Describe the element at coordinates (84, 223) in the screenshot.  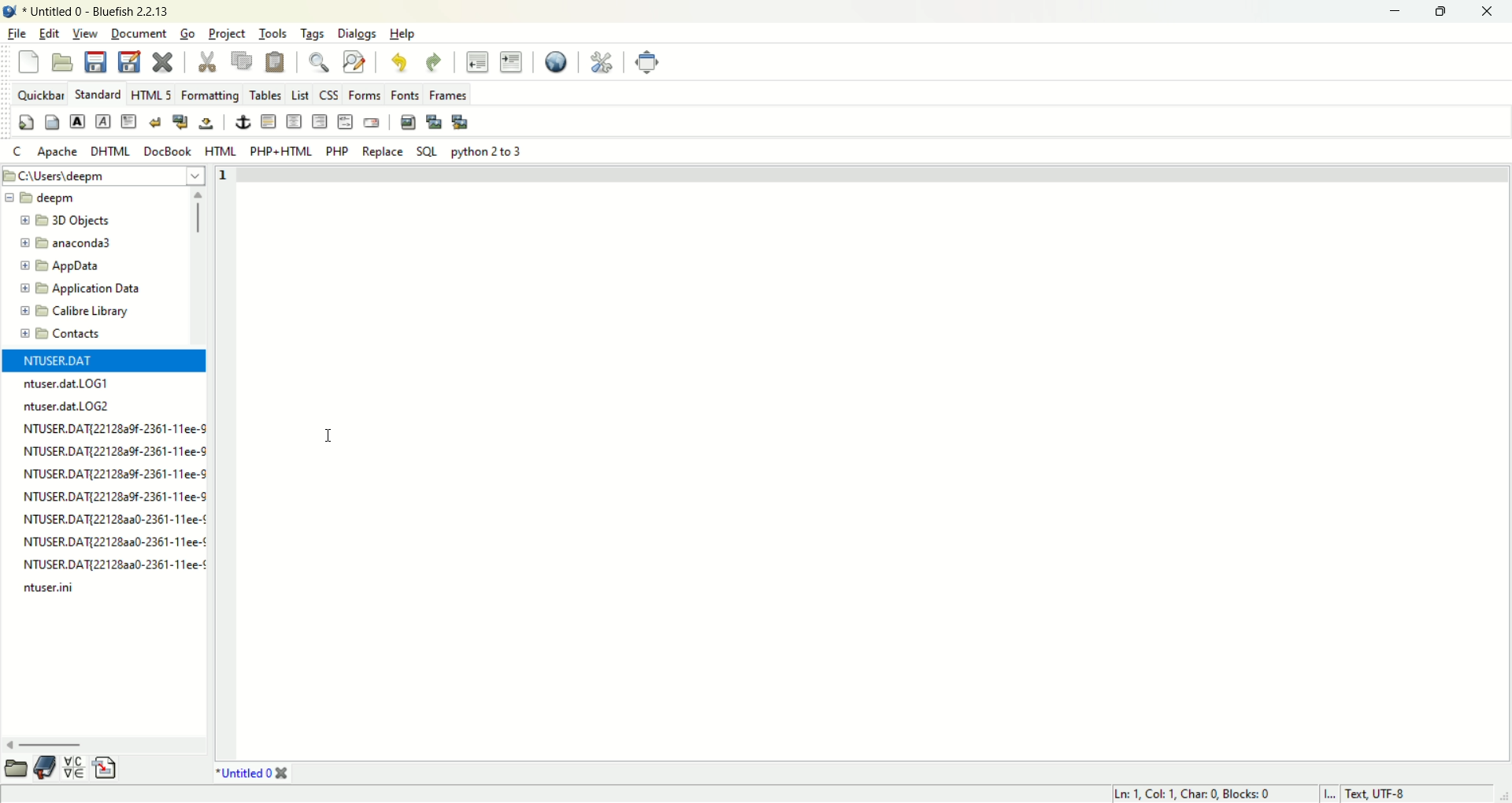
I see `folder name` at that location.